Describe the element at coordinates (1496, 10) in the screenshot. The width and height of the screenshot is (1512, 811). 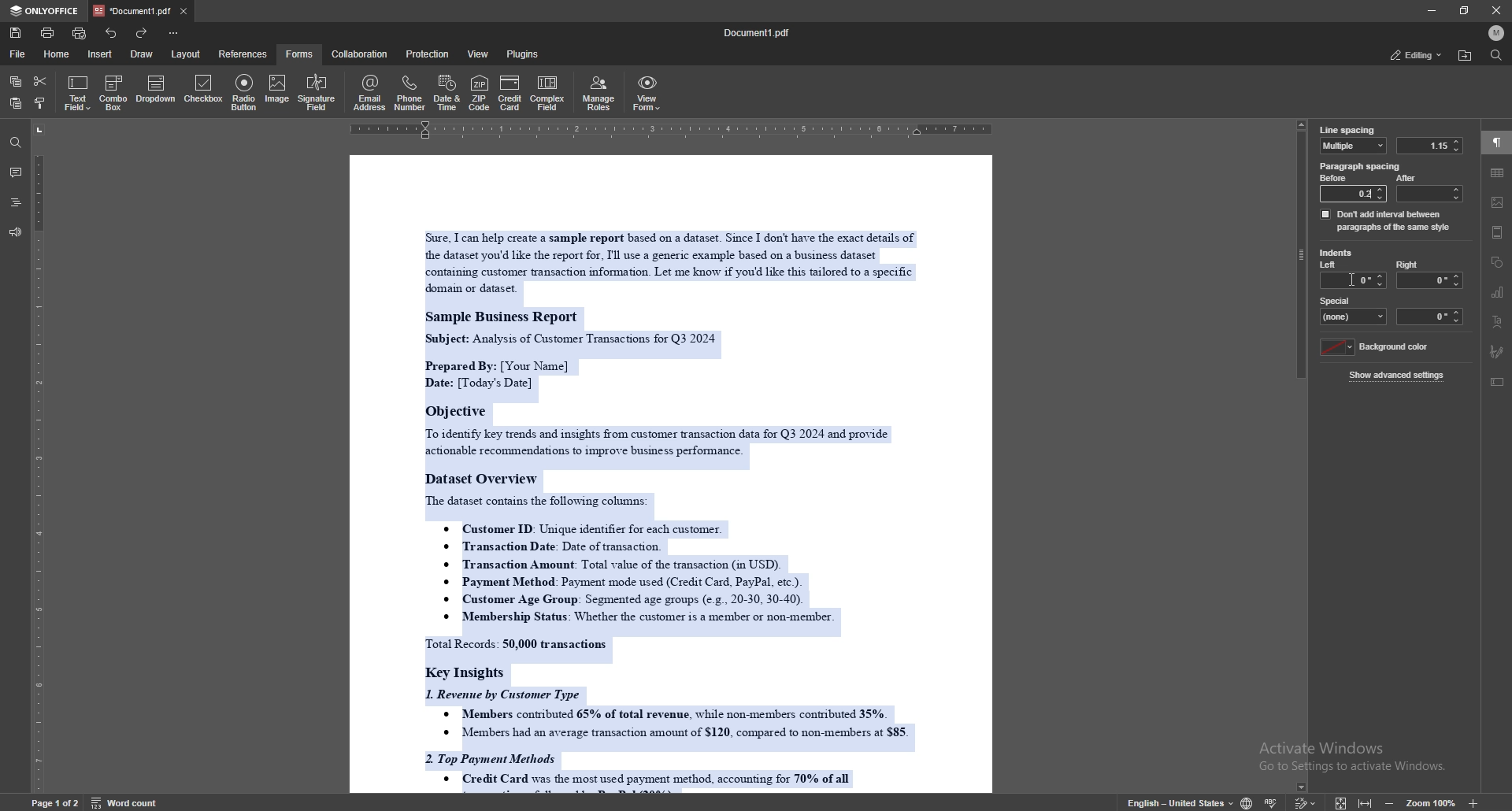
I see `close` at that location.